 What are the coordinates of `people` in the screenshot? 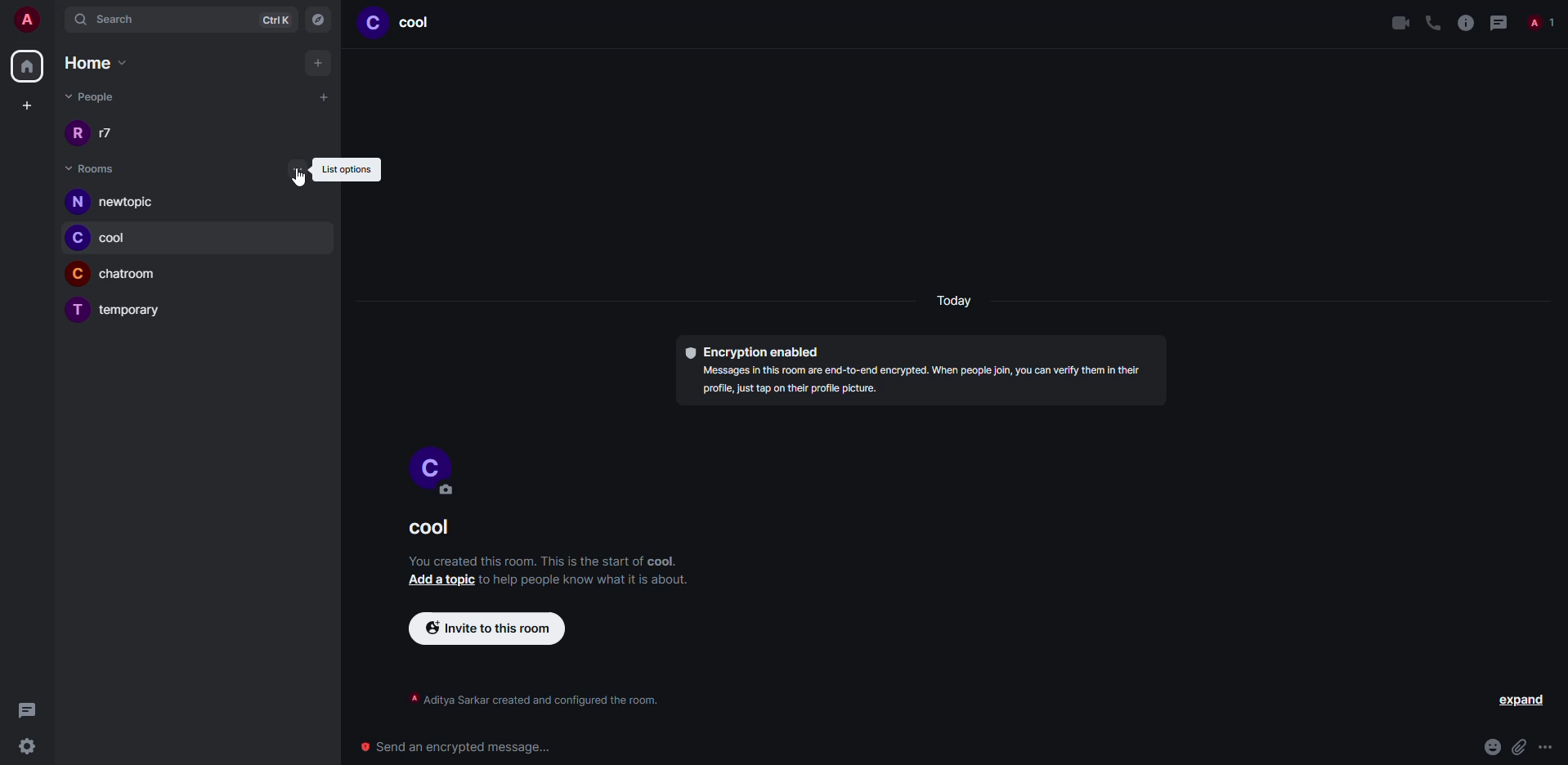 It's located at (1541, 20).